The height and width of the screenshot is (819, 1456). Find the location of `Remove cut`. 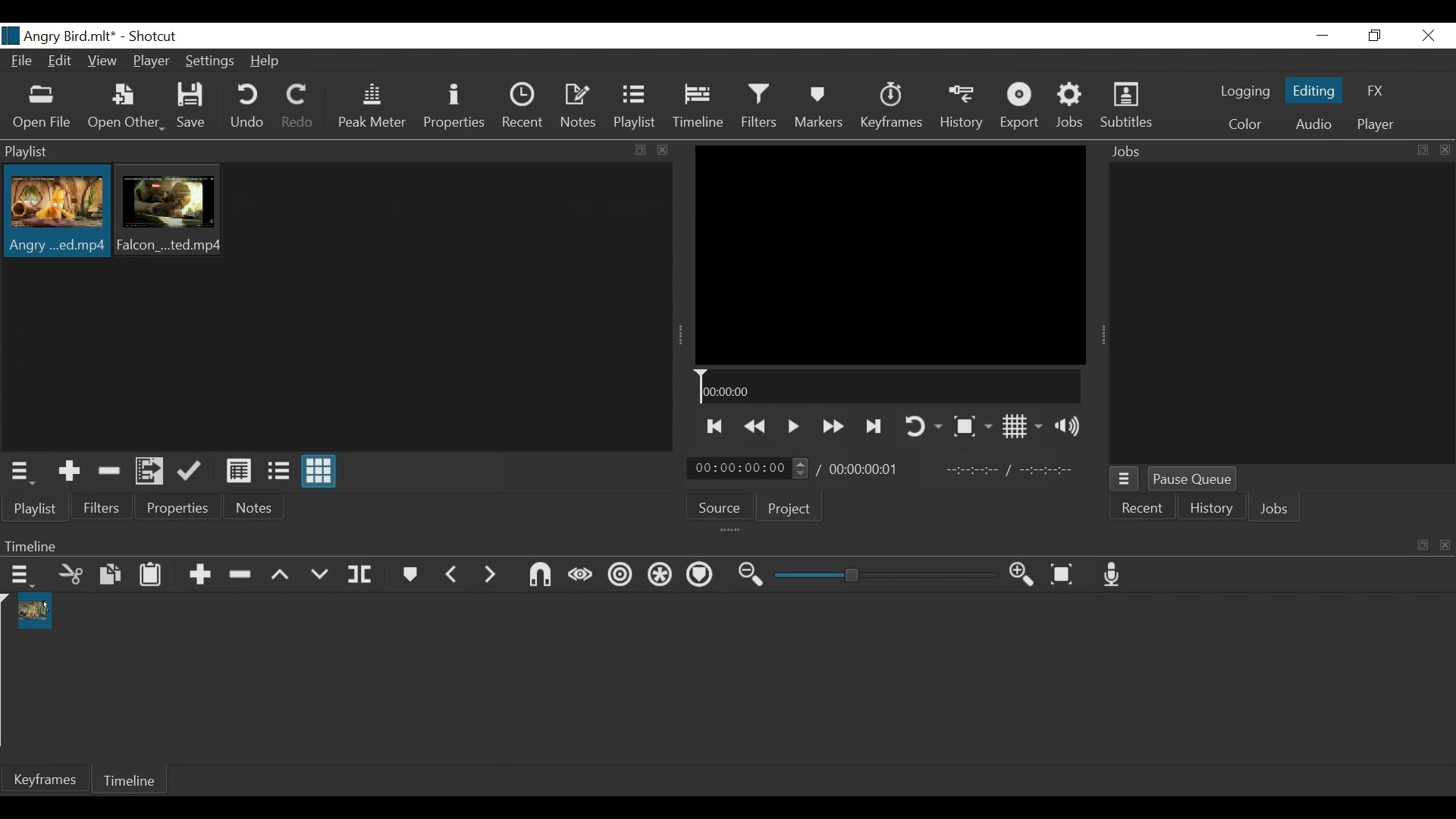

Remove cut is located at coordinates (110, 472).